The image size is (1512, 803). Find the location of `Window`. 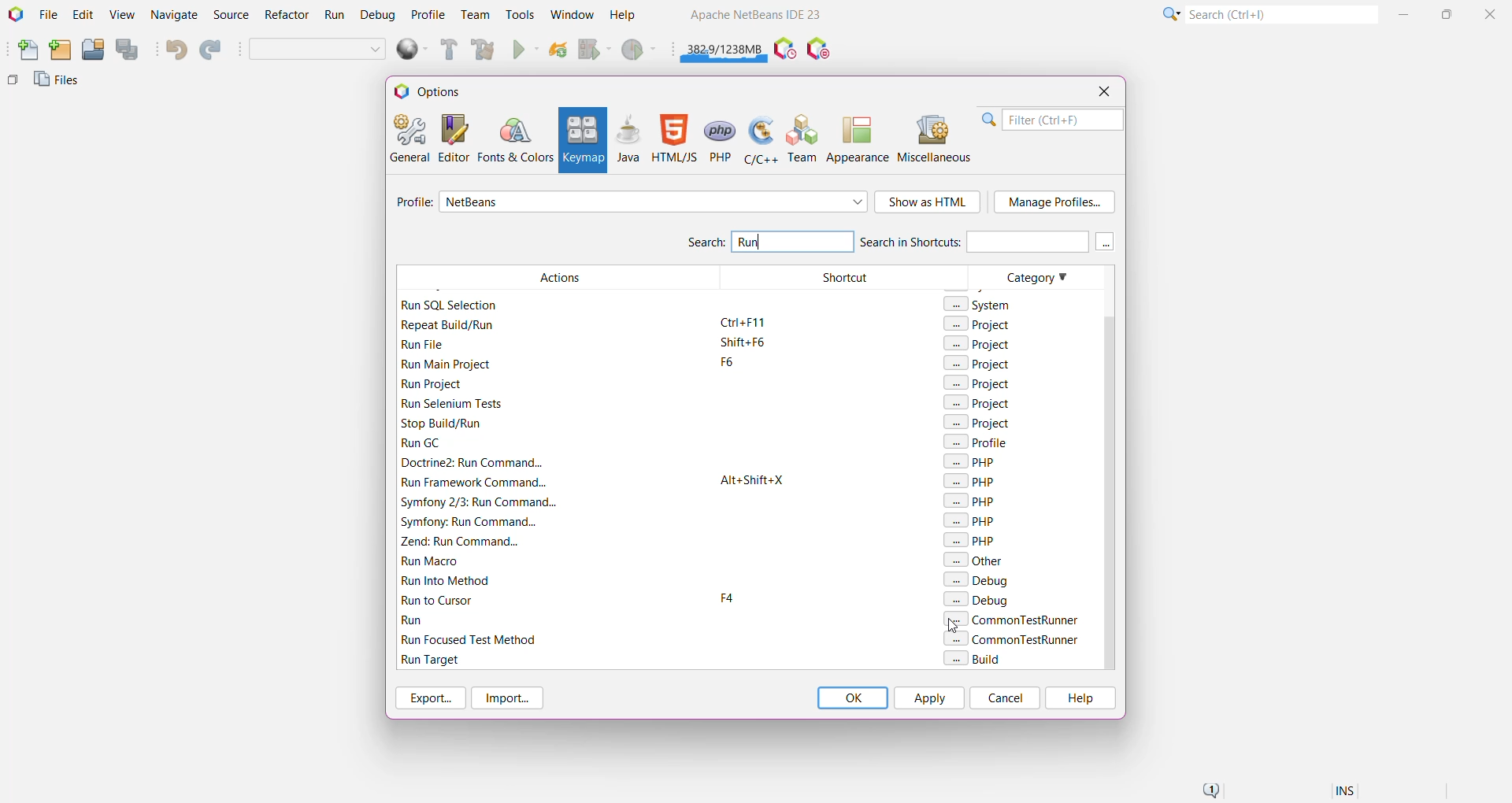

Window is located at coordinates (572, 14).